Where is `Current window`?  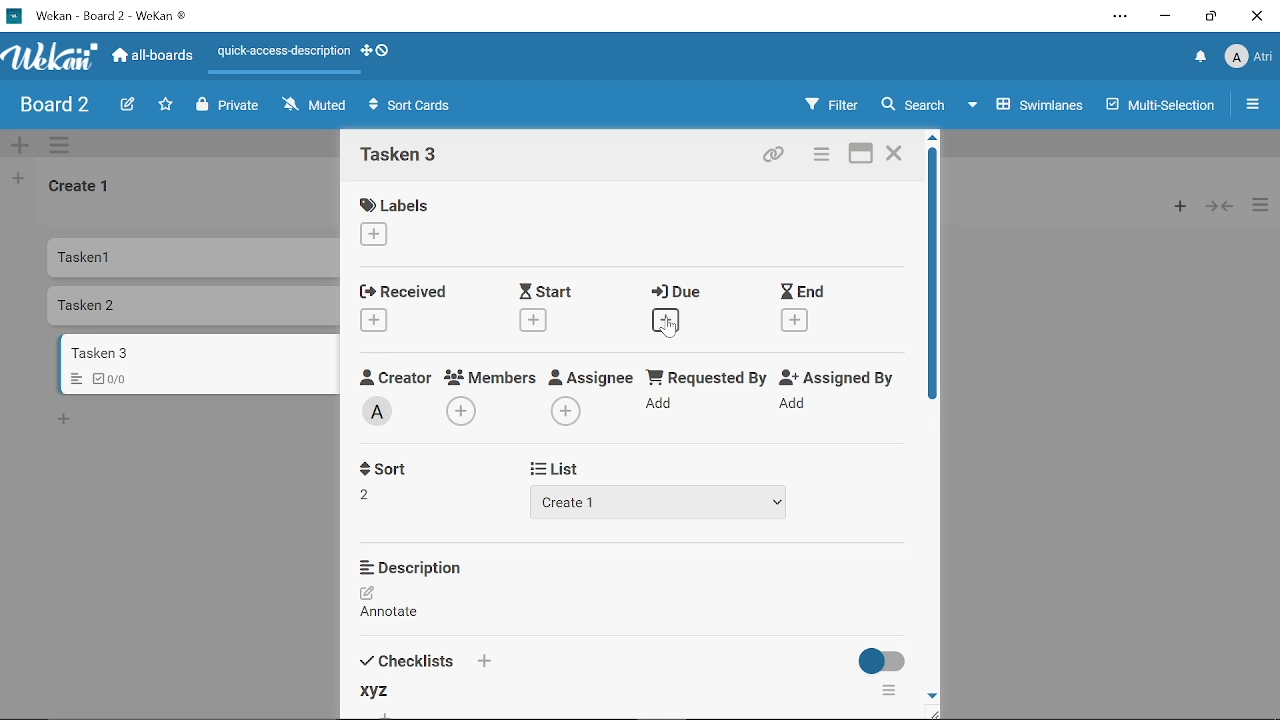
Current window is located at coordinates (102, 15).